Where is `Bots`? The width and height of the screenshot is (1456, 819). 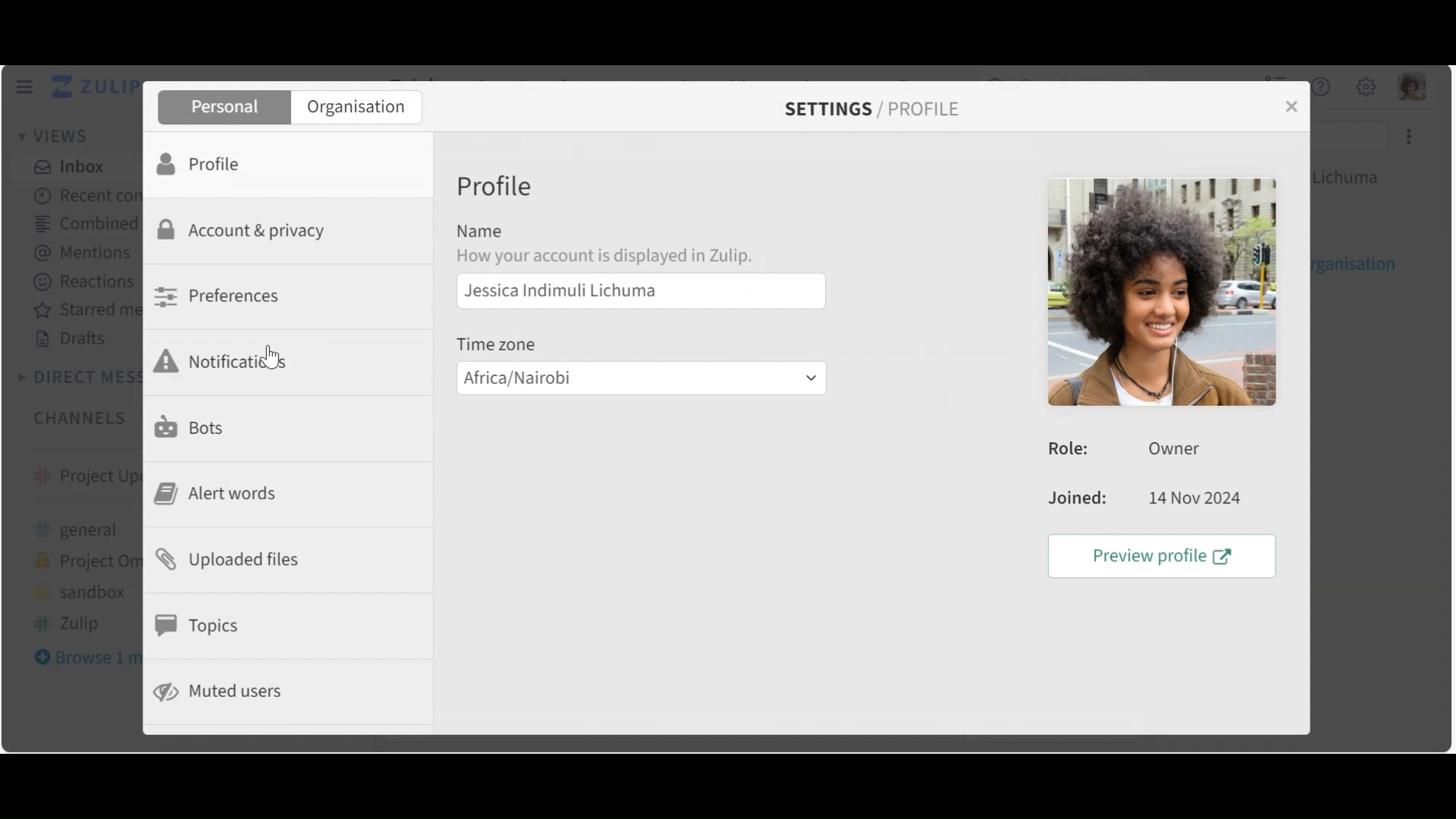
Bots is located at coordinates (193, 425).